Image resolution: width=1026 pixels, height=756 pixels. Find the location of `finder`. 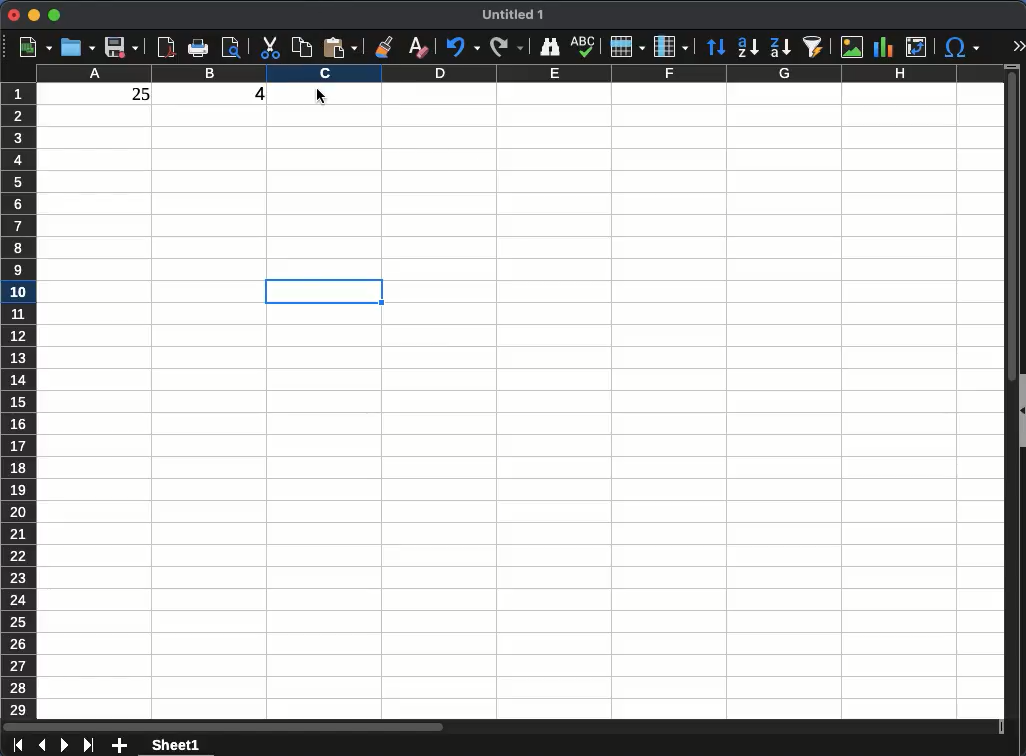

finder is located at coordinates (550, 46).